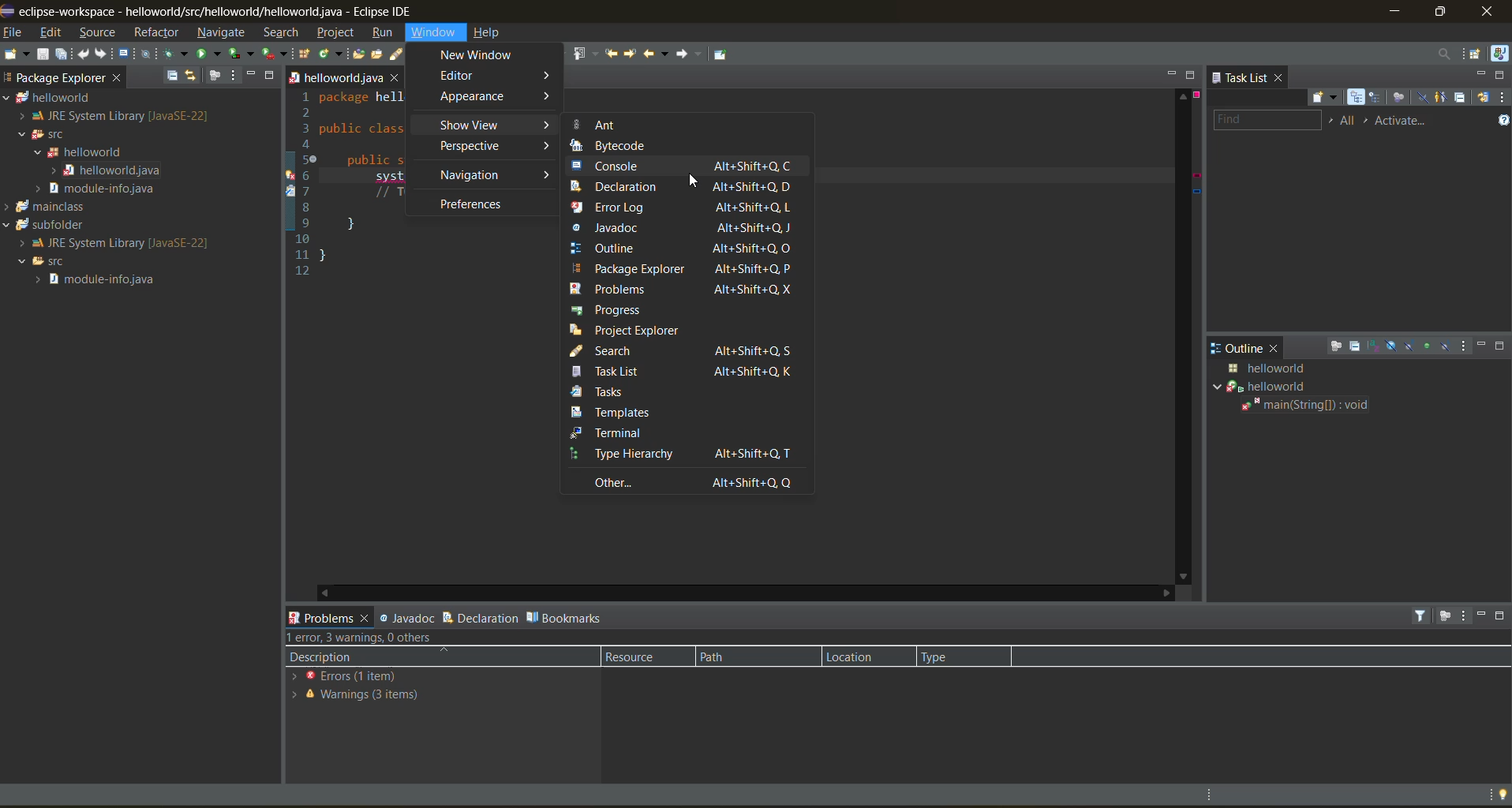 This screenshot has width=1512, height=808. What do you see at coordinates (1465, 615) in the screenshot?
I see `view menu` at bounding box center [1465, 615].